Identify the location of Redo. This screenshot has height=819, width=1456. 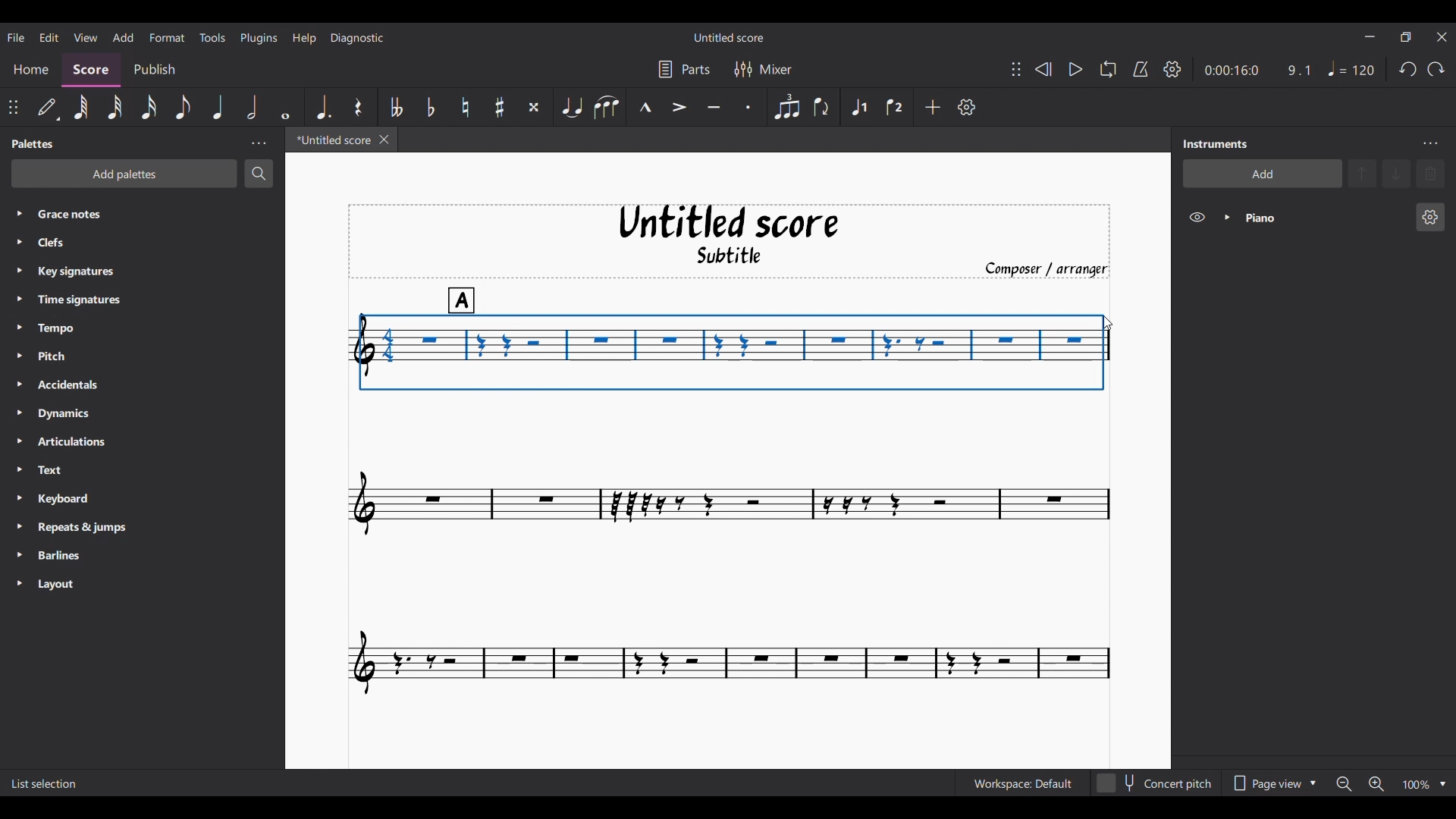
(1436, 69).